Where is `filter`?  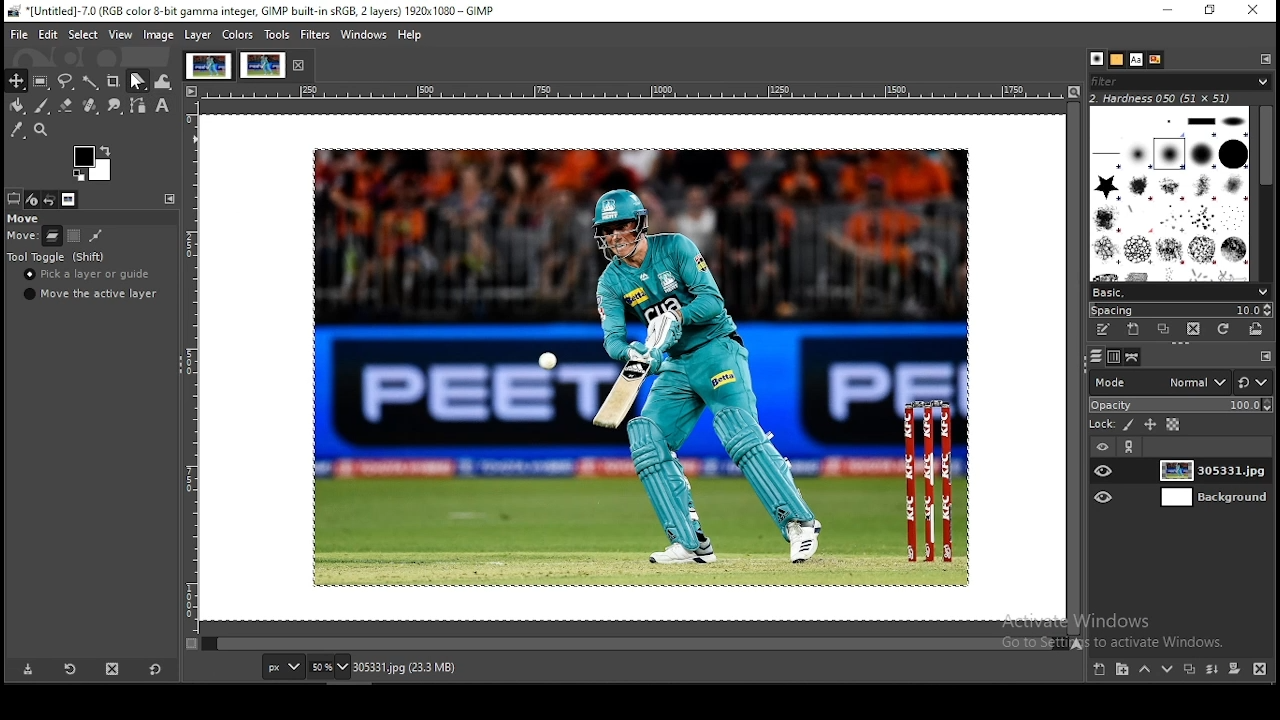 filter is located at coordinates (1181, 81).